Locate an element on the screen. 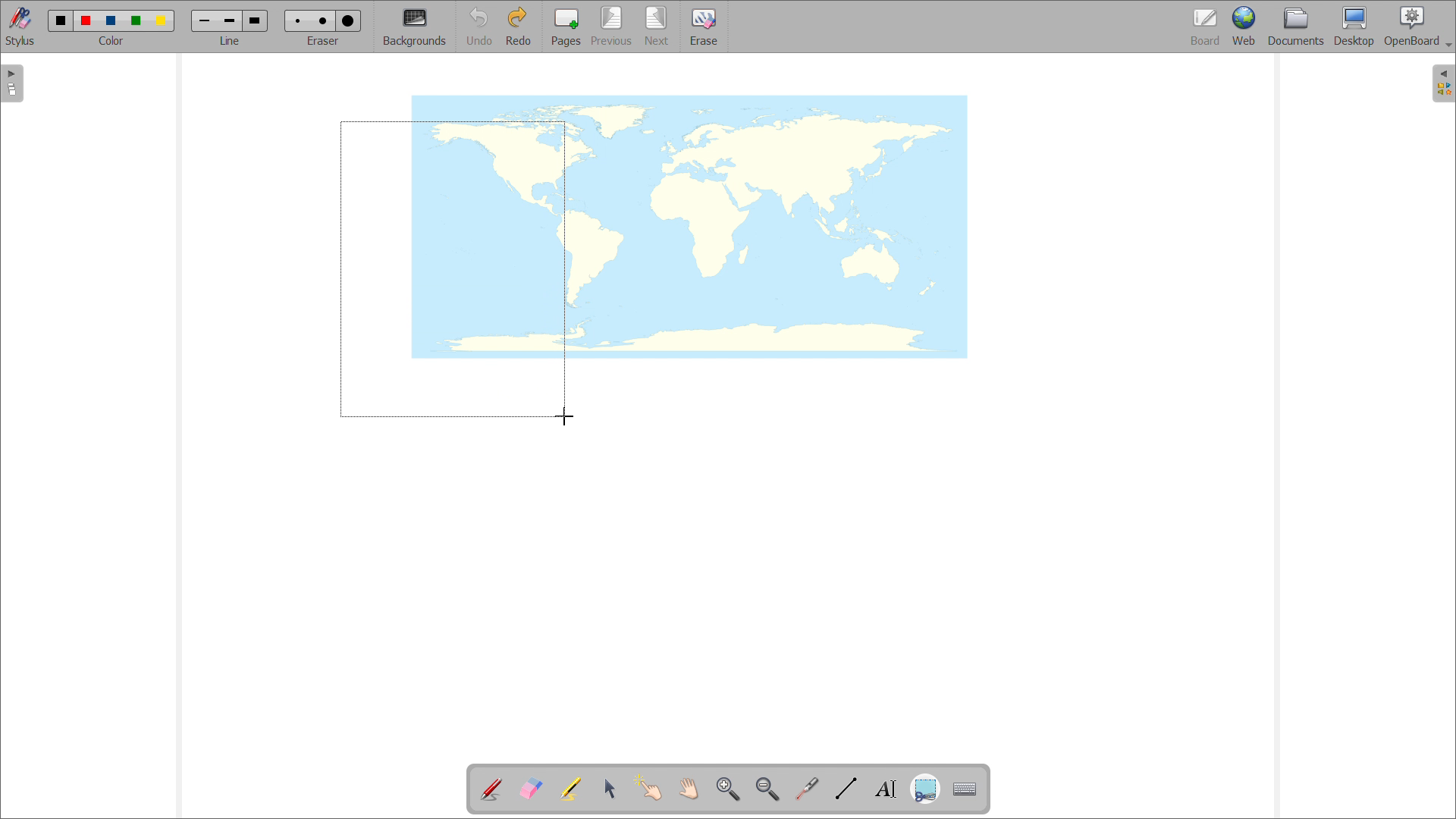  open pages view is located at coordinates (12, 83).